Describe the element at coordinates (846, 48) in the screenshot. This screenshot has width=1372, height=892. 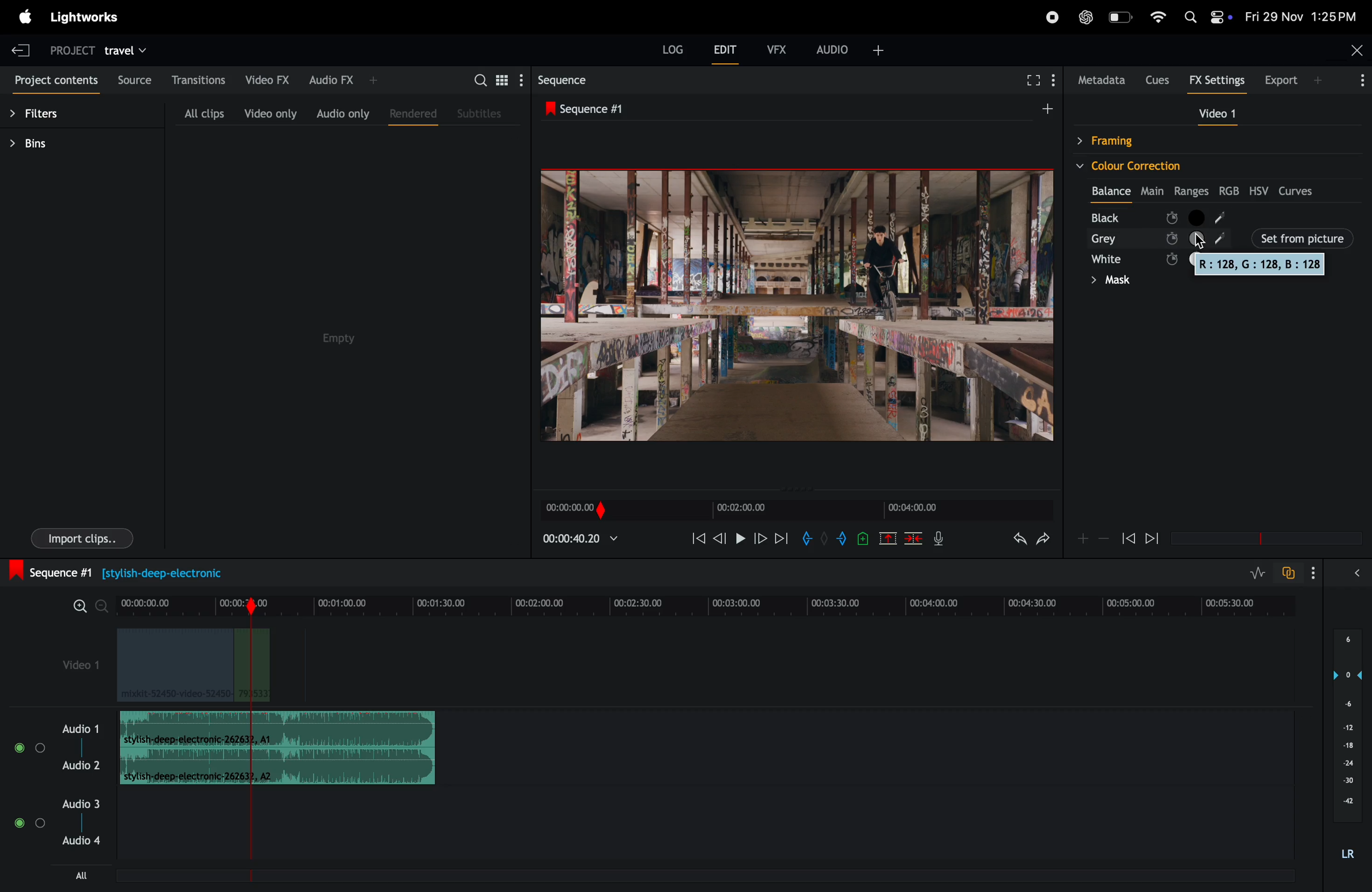
I see `` at that location.